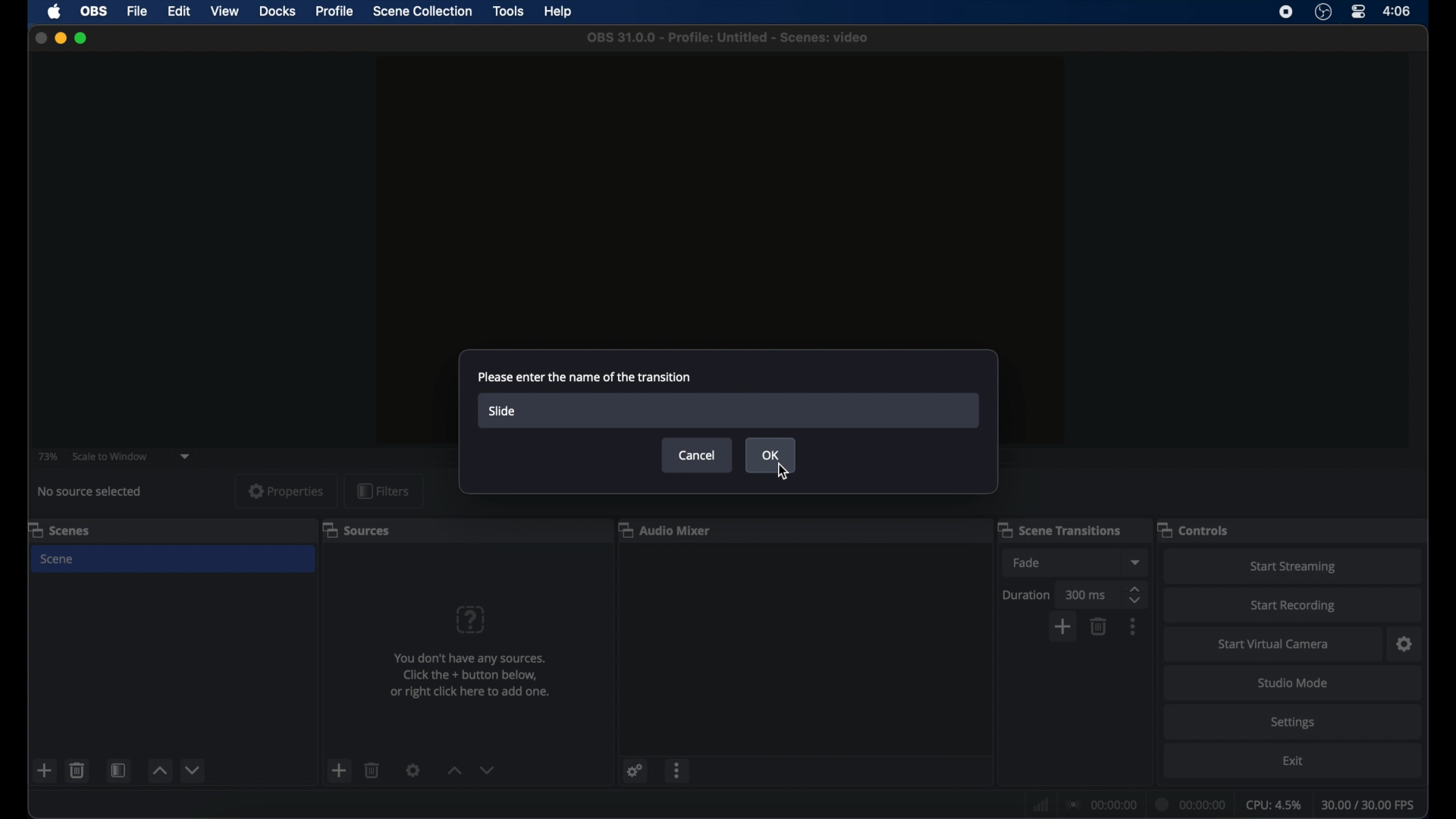 This screenshot has height=819, width=1456. Describe the element at coordinates (1274, 804) in the screenshot. I see `cpu` at that location.